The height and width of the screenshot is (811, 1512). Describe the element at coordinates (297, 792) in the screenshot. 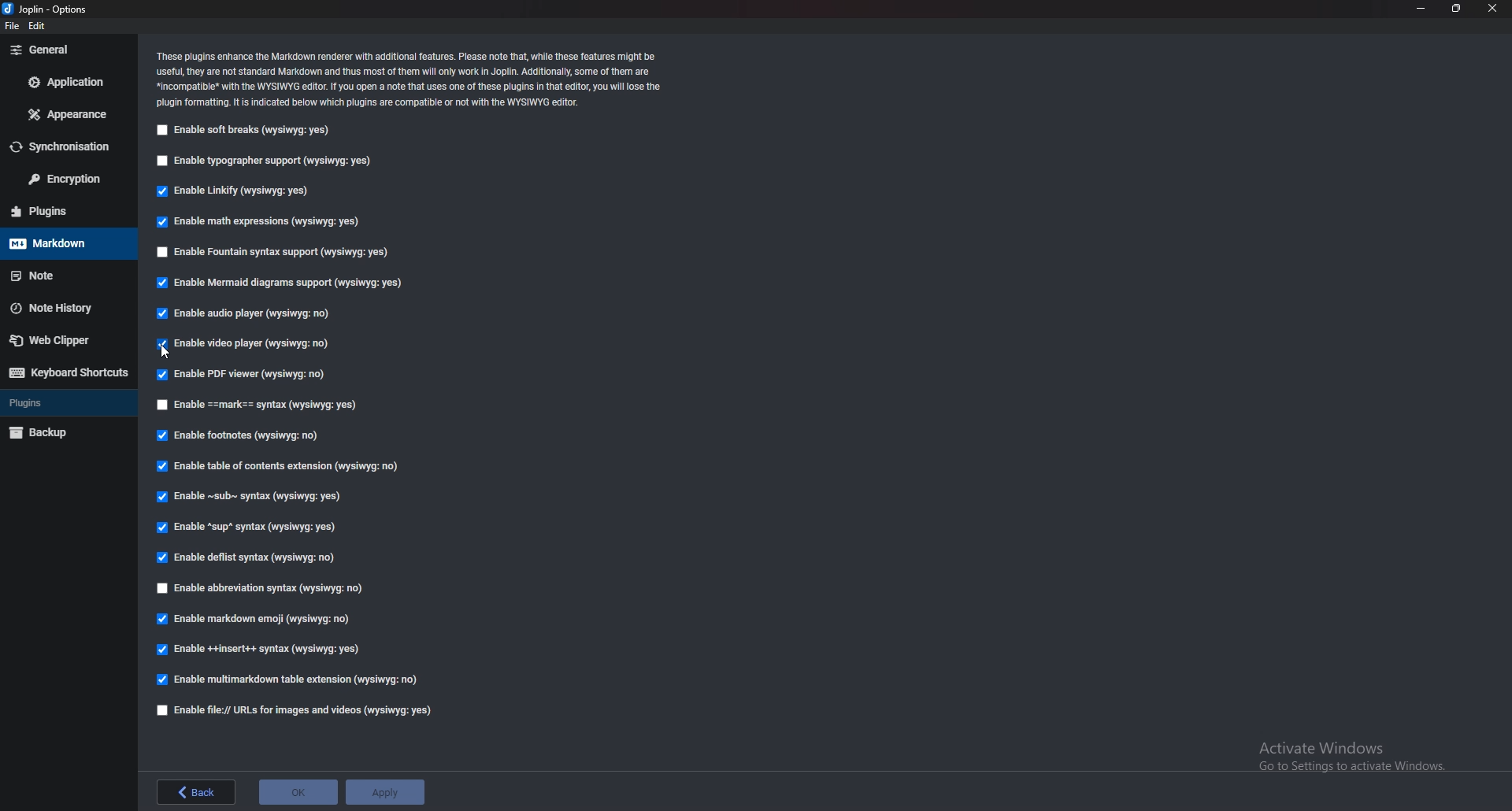

I see `ok` at that location.